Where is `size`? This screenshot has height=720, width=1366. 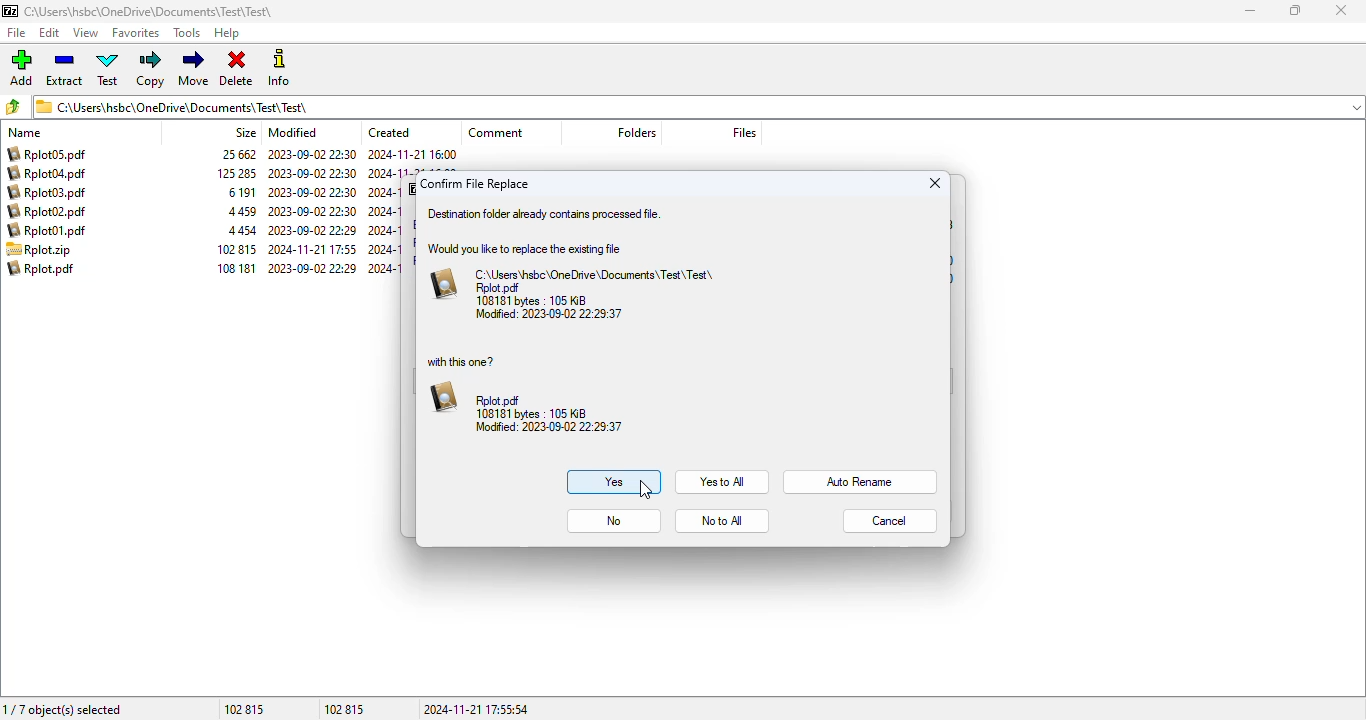 size is located at coordinates (245, 132).